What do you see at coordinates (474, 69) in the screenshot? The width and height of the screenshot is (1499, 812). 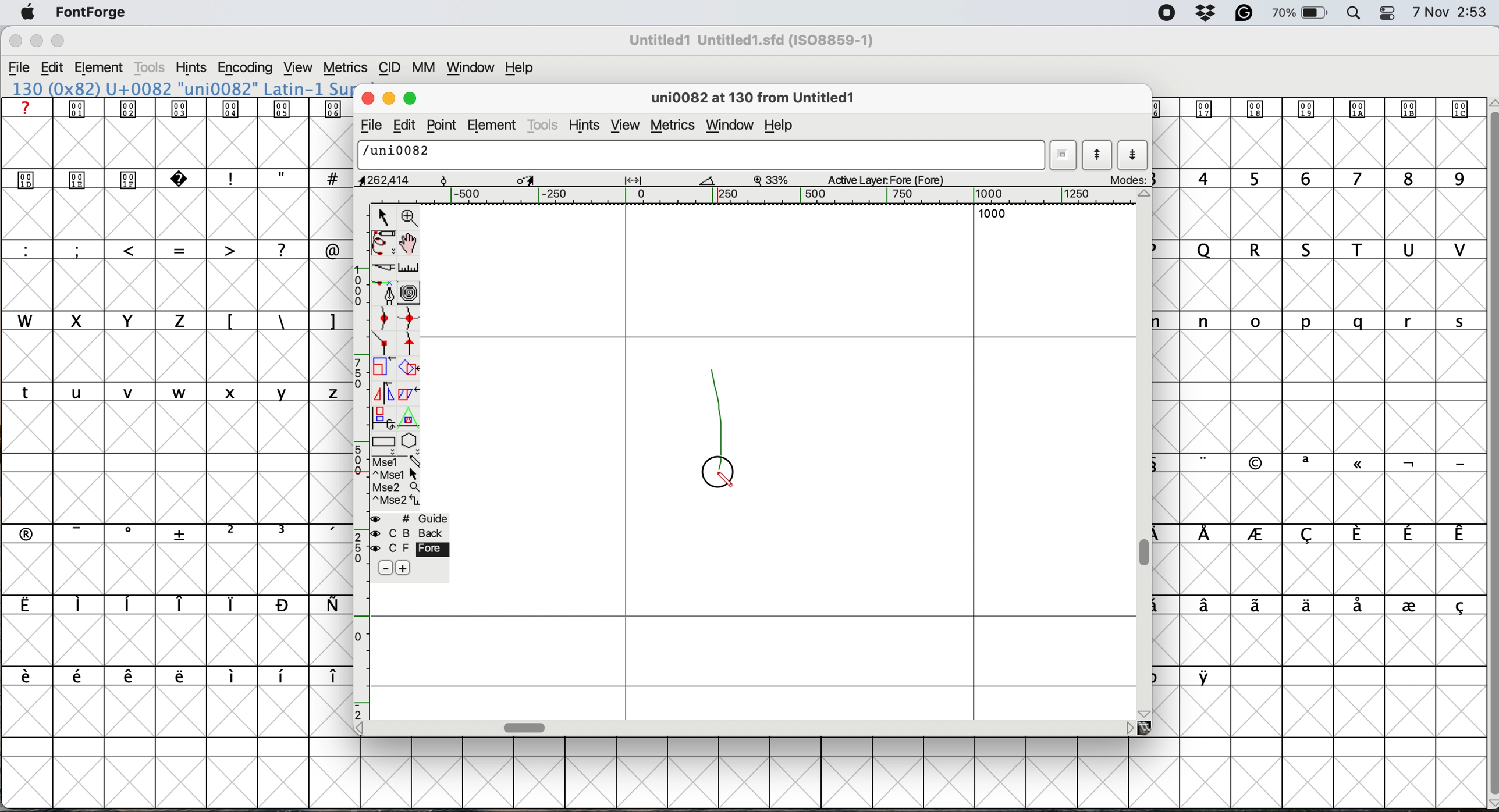 I see `window` at bounding box center [474, 69].